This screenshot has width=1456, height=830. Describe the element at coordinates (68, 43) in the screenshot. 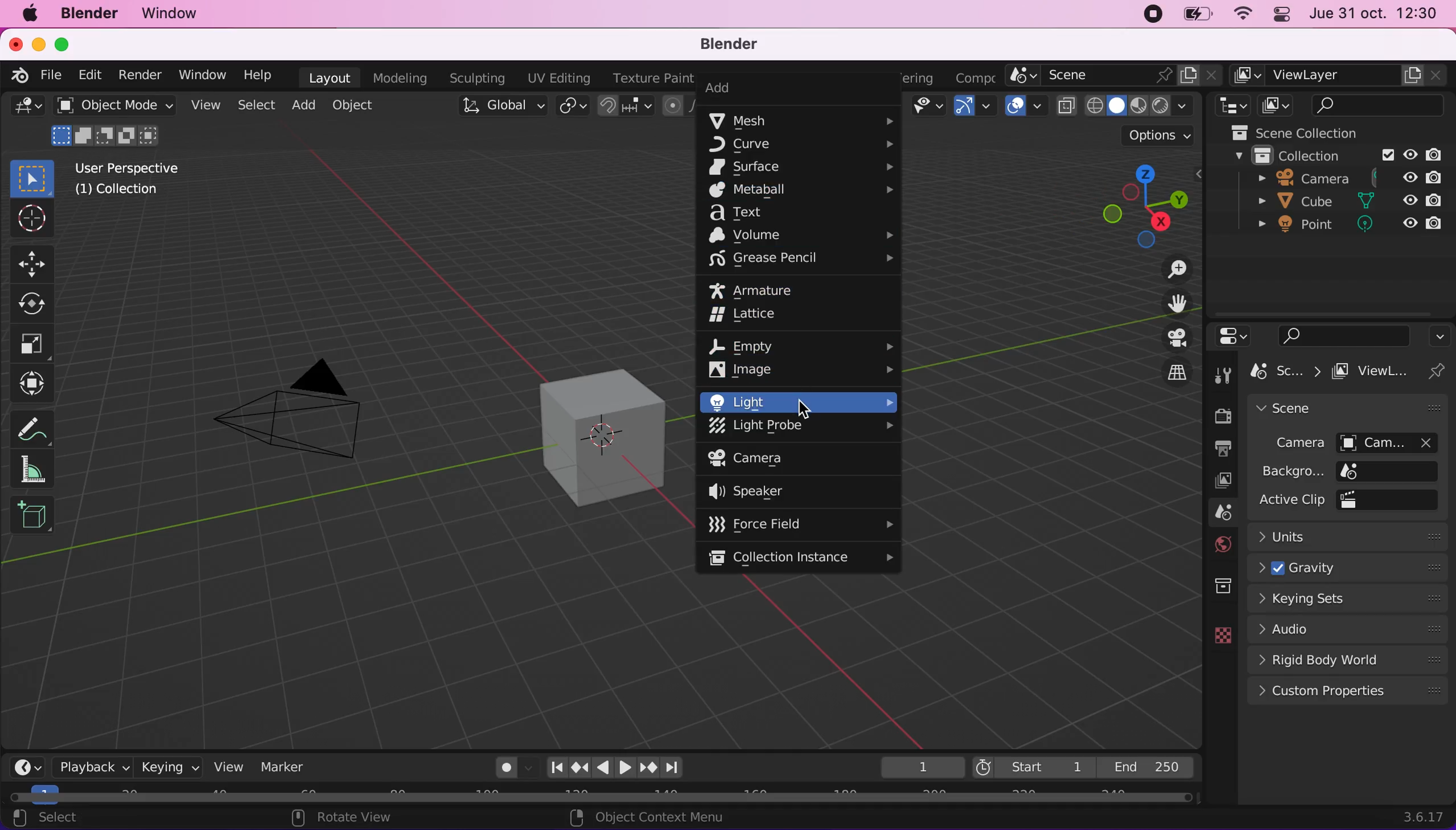

I see `maximize` at that location.